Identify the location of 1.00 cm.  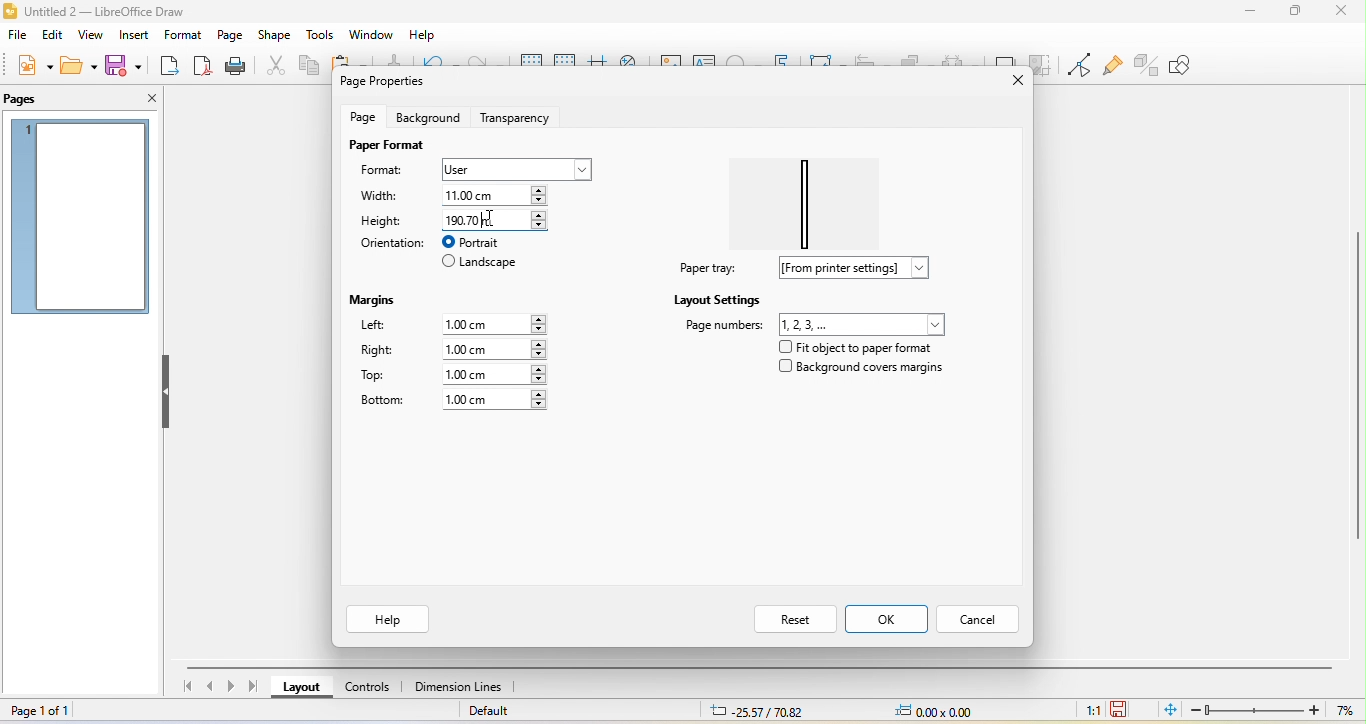
(493, 349).